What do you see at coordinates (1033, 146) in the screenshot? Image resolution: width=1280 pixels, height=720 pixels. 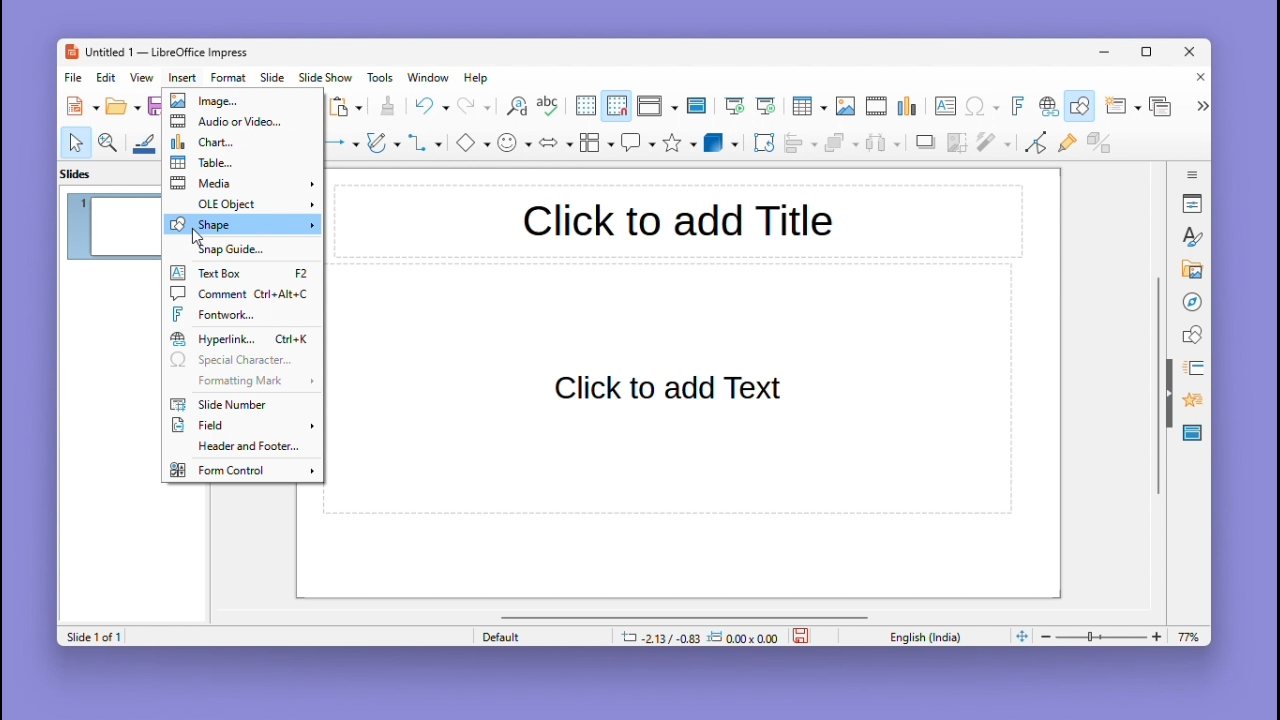 I see `Toggle point` at bounding box center [1033, 146].